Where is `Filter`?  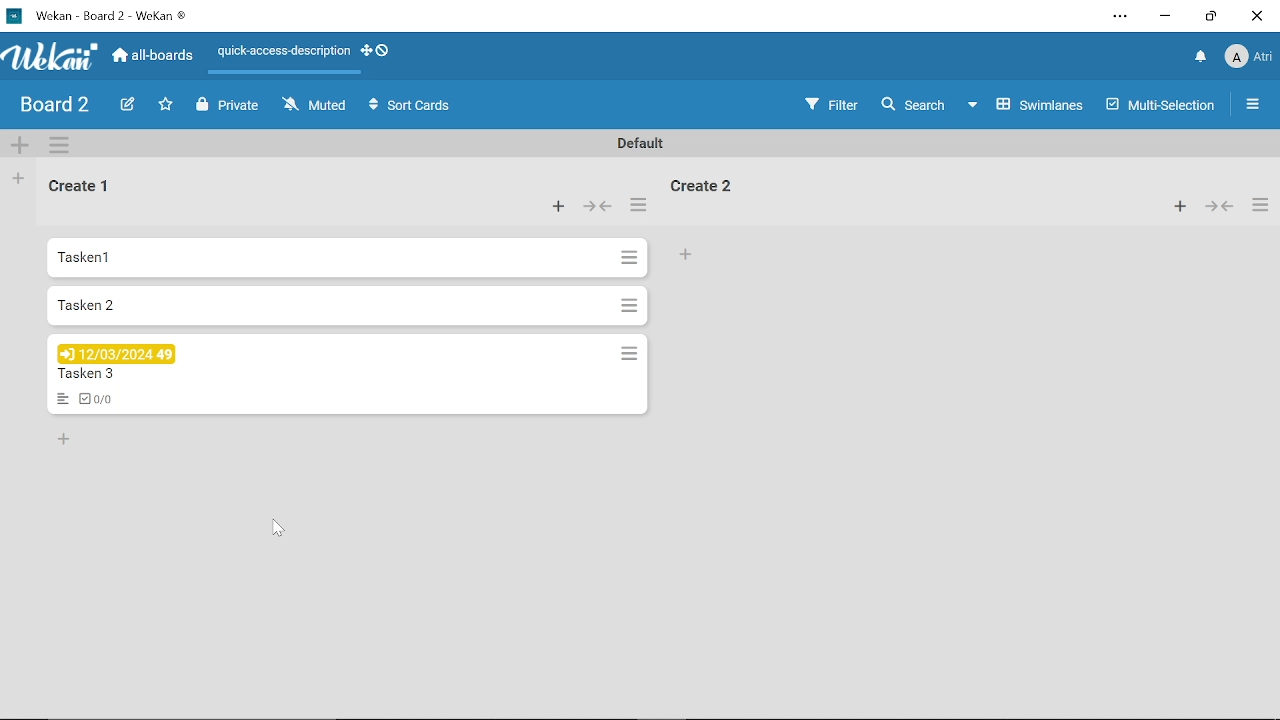
Filter is located at coordinates (832, 105).